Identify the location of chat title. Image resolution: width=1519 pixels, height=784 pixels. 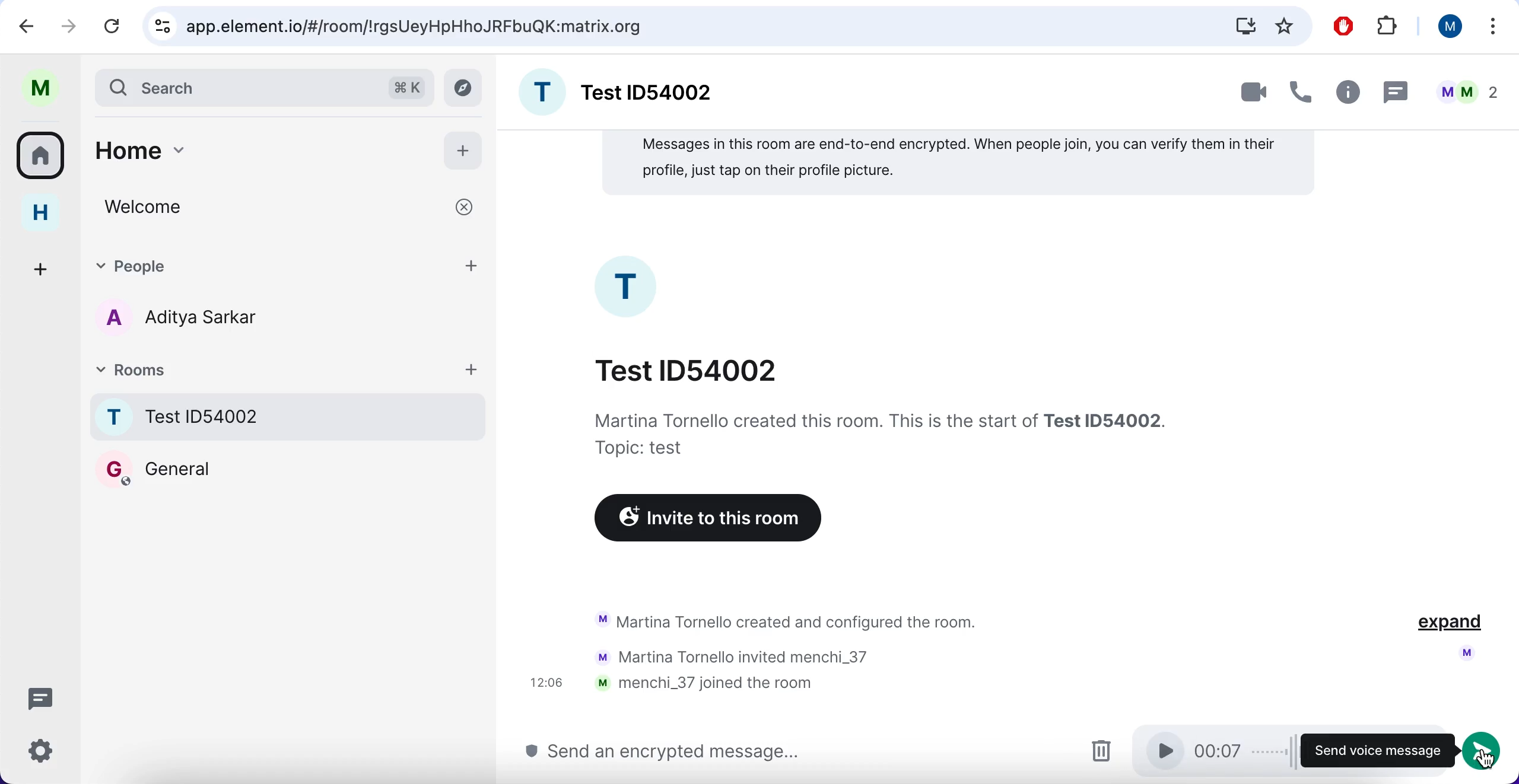
(688, 369).